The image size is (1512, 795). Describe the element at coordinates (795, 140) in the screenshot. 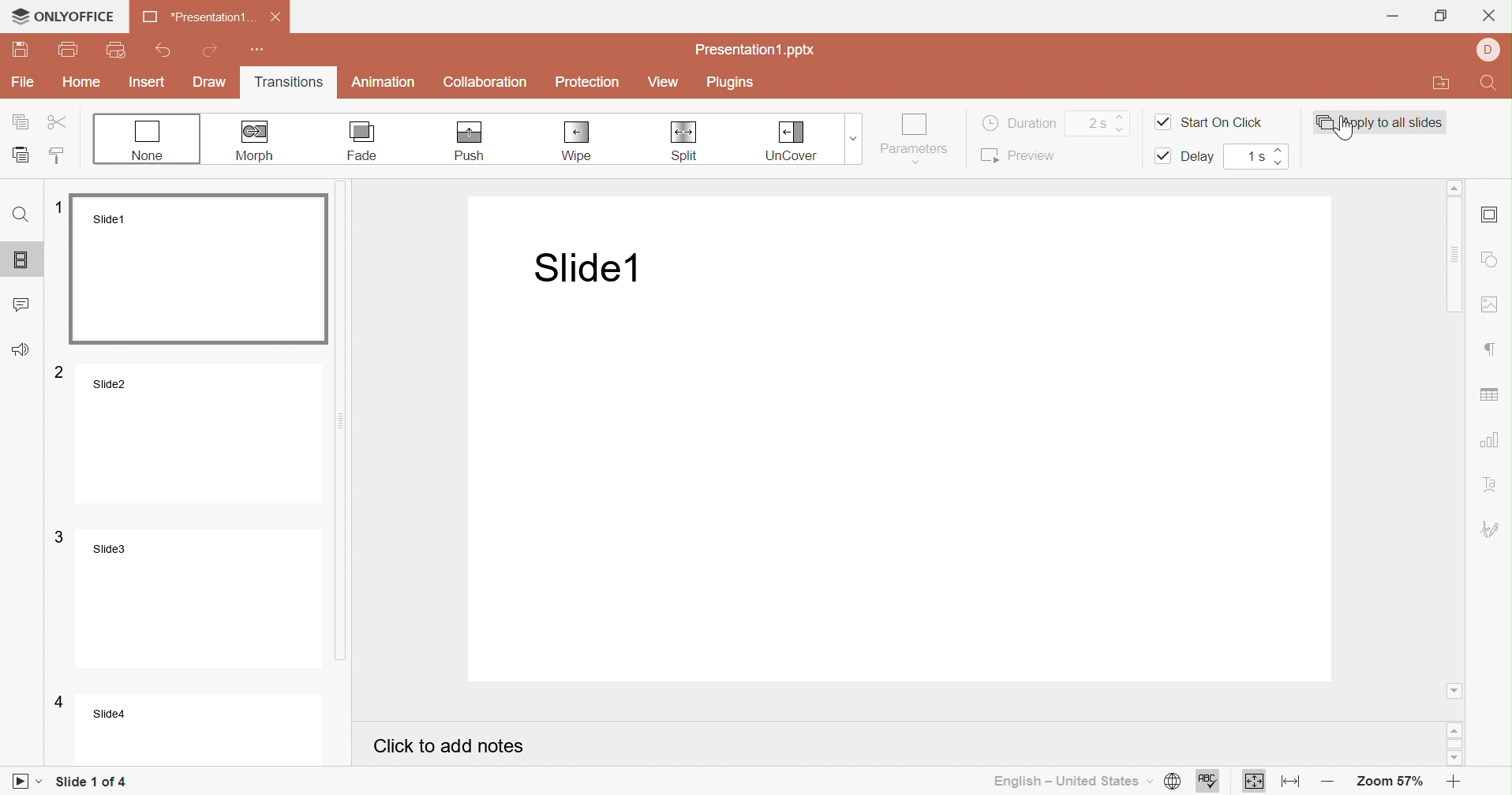

I see `Uncover` at that location.